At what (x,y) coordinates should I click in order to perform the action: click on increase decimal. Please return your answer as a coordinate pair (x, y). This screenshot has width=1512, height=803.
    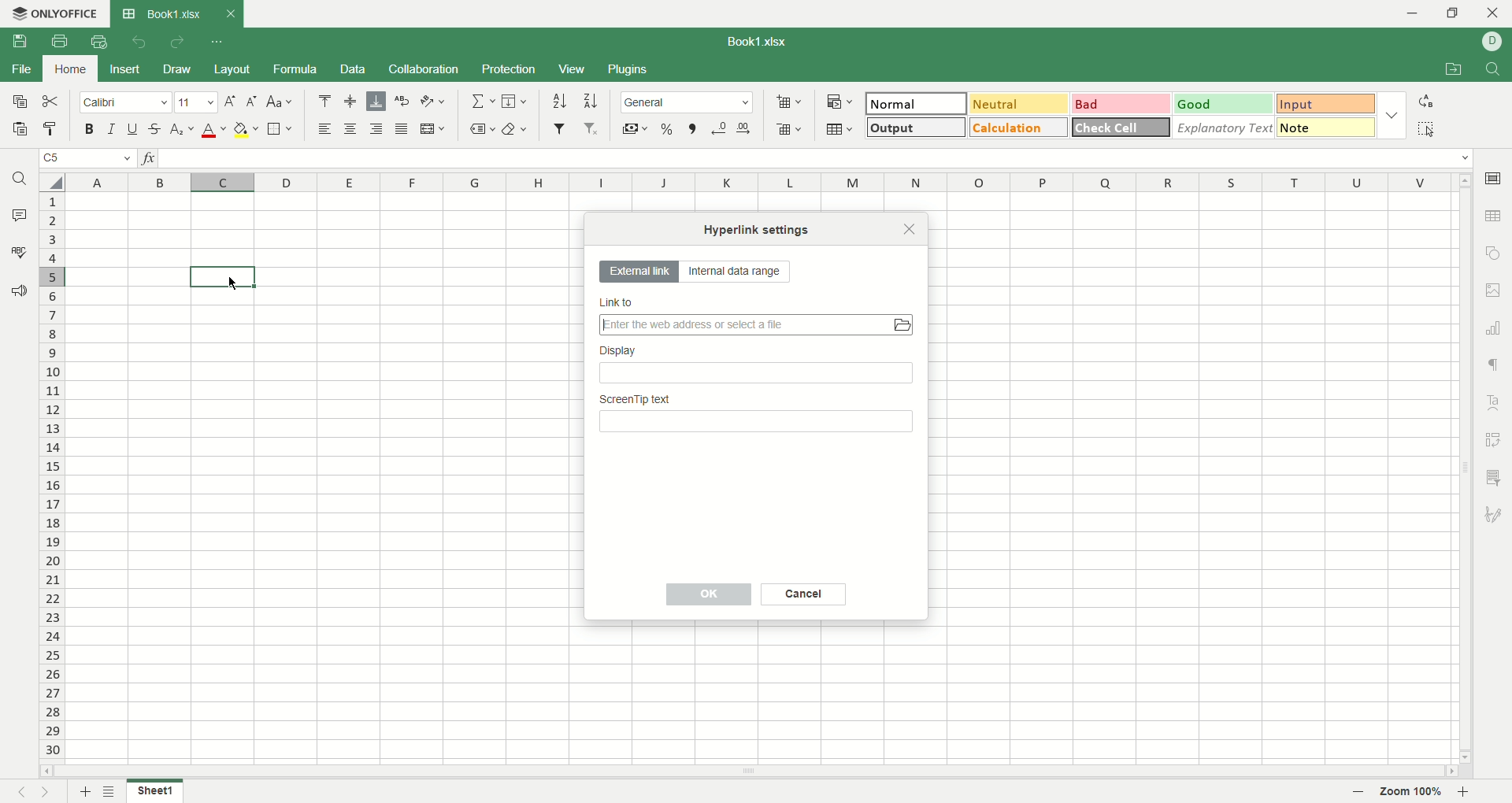
    Looking at the image, I should click on (748, 125).